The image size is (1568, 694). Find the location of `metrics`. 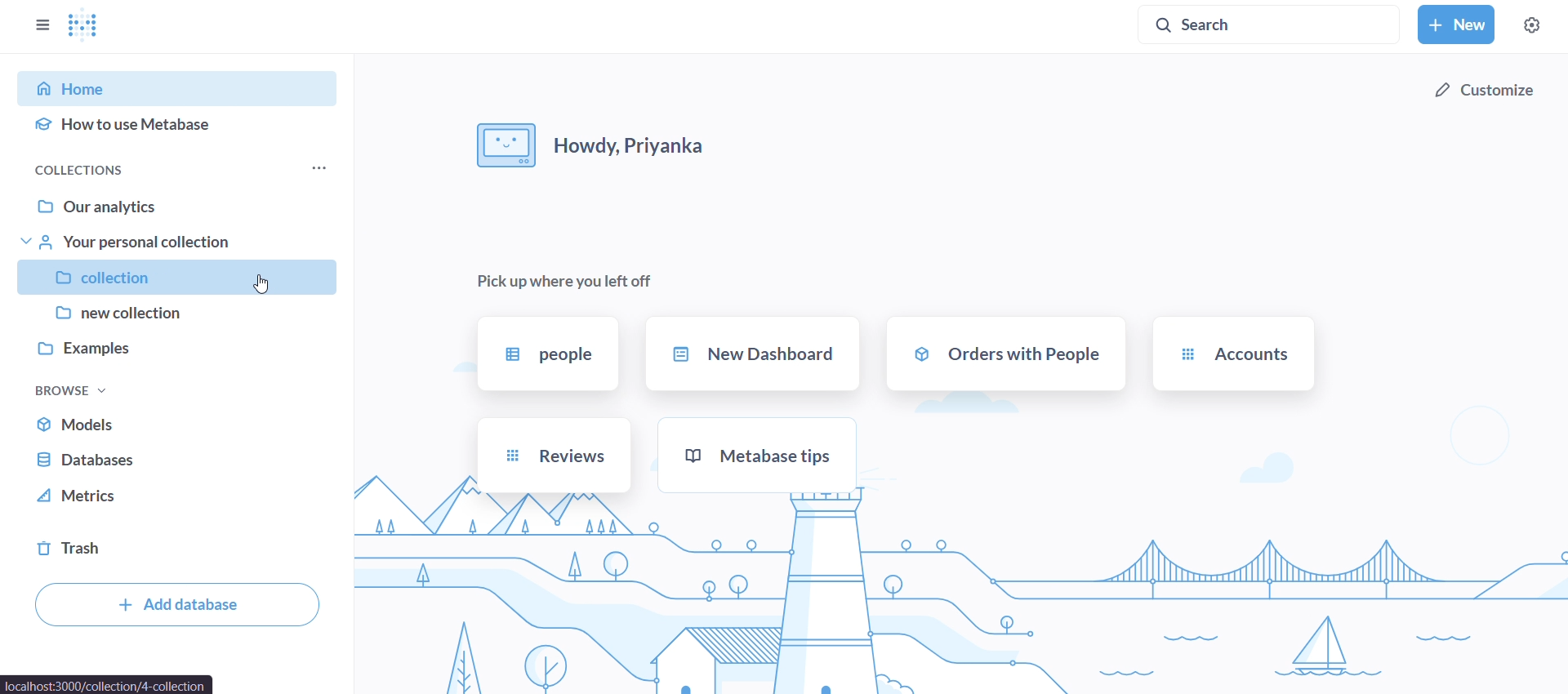

metrics is located at coordinates (175, 500).